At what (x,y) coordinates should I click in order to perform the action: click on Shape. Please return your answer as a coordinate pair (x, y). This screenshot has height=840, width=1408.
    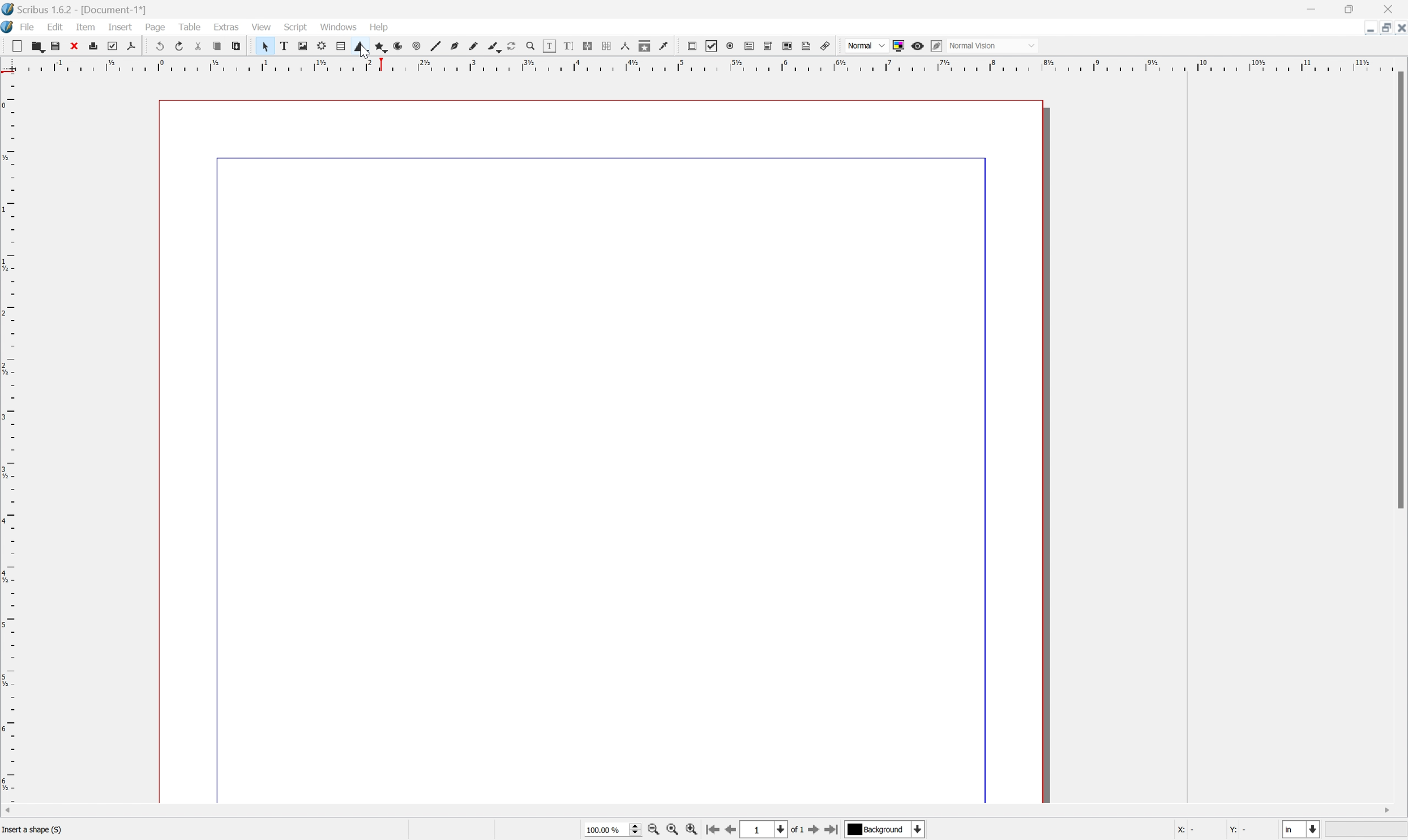
    Looking at the image, I should click on (357, 48).